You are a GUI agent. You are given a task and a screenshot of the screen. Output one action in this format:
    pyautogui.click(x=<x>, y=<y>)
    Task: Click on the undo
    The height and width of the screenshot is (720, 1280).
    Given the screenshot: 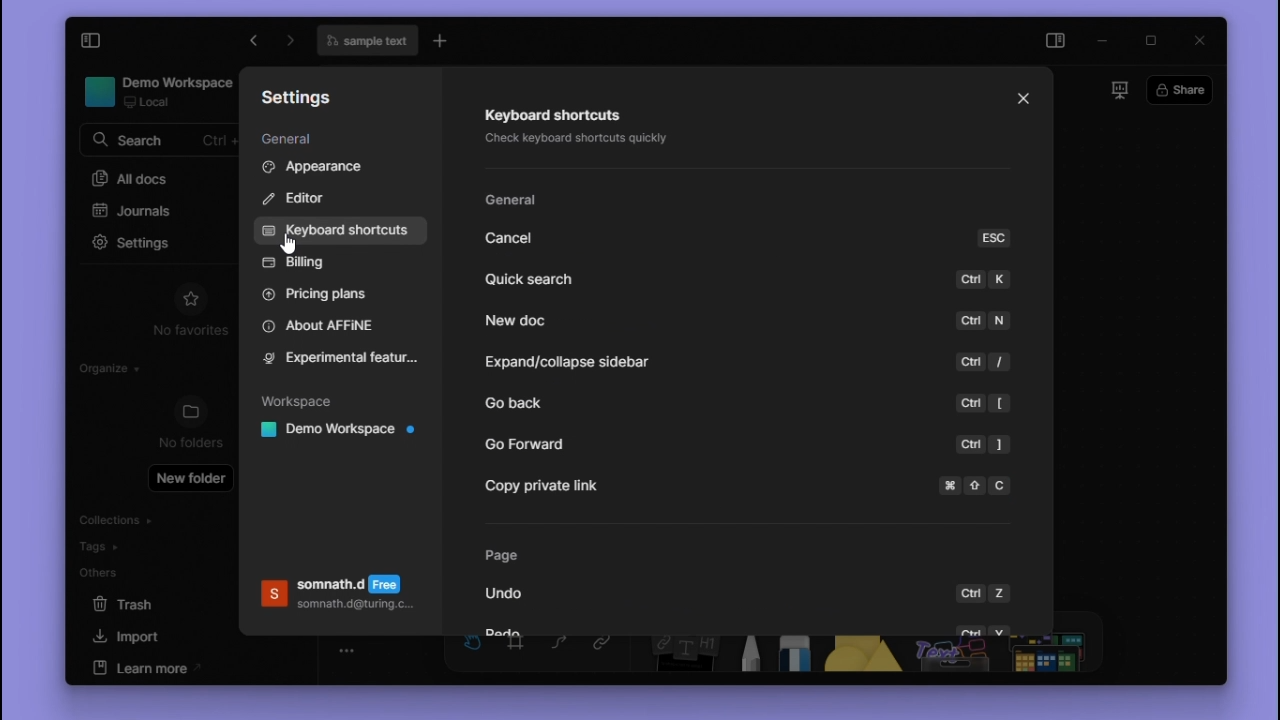 What is the action you would take?
    pyautogui.click(x=514, y=594)
    